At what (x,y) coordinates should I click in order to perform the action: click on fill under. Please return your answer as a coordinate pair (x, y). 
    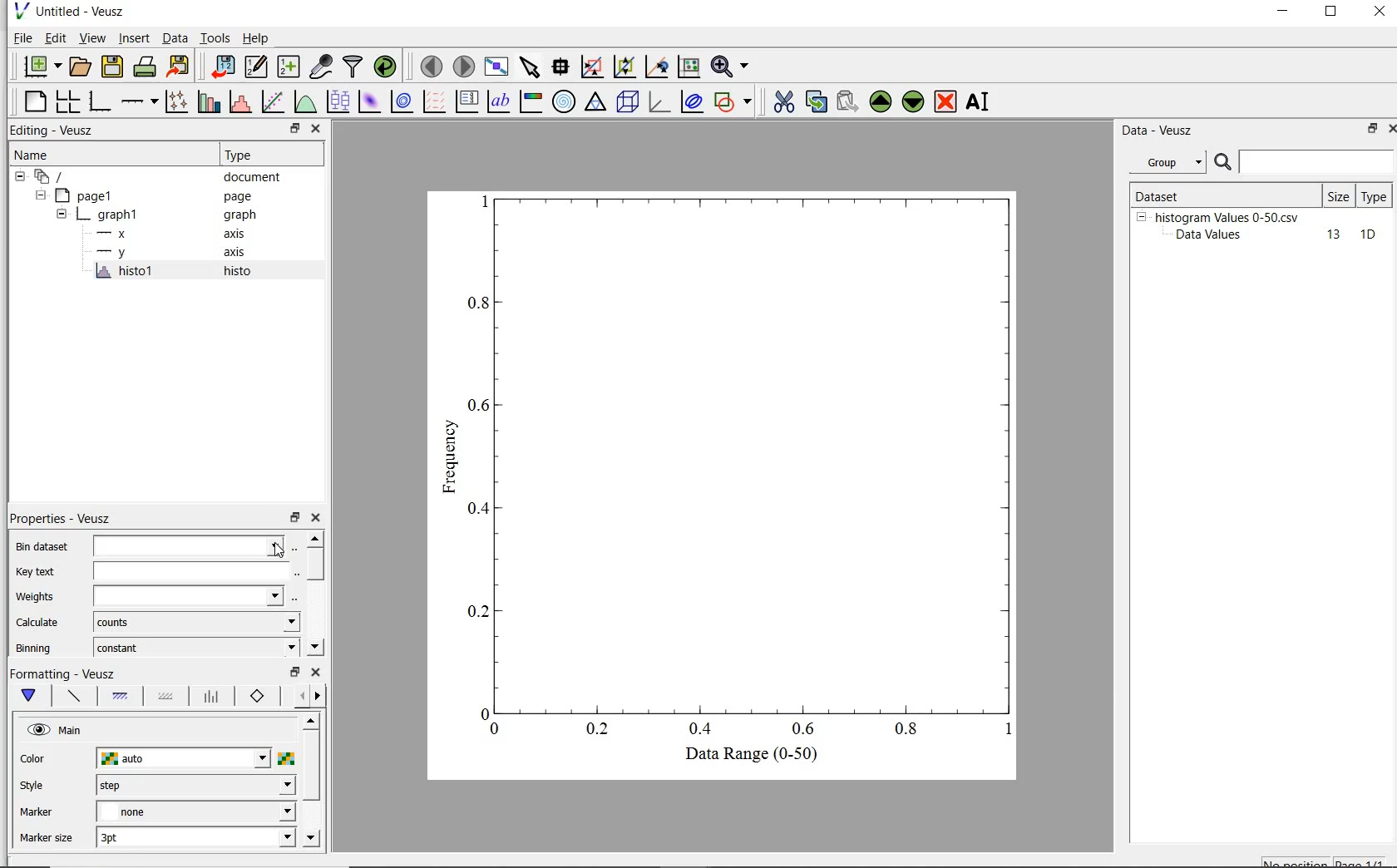
    Looking at the image, I should click on (121, 696).